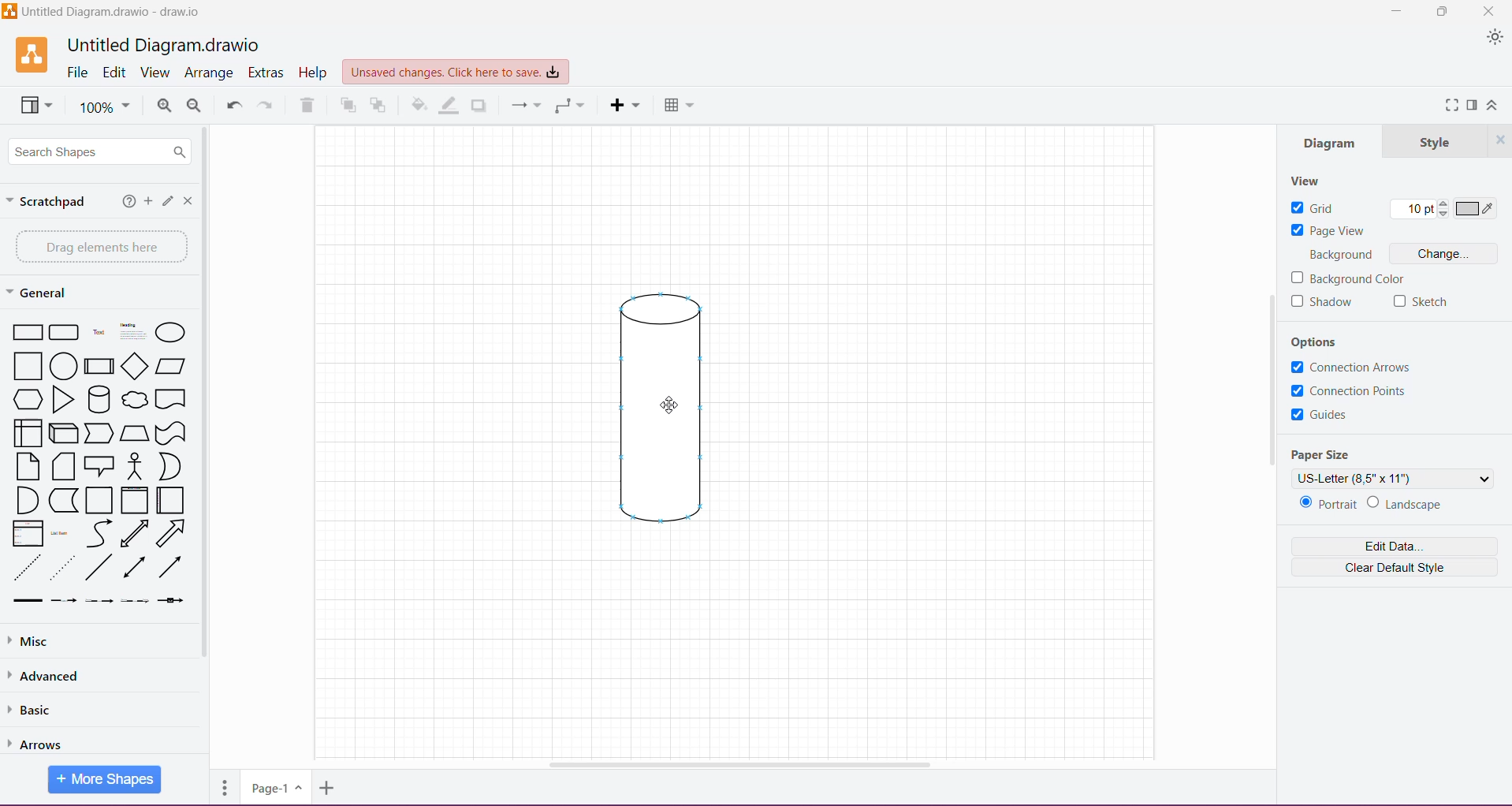 Image resolution: width=1512 pixels, height=806 pixels. I want to click on Scratchpad, so click(50, 203).